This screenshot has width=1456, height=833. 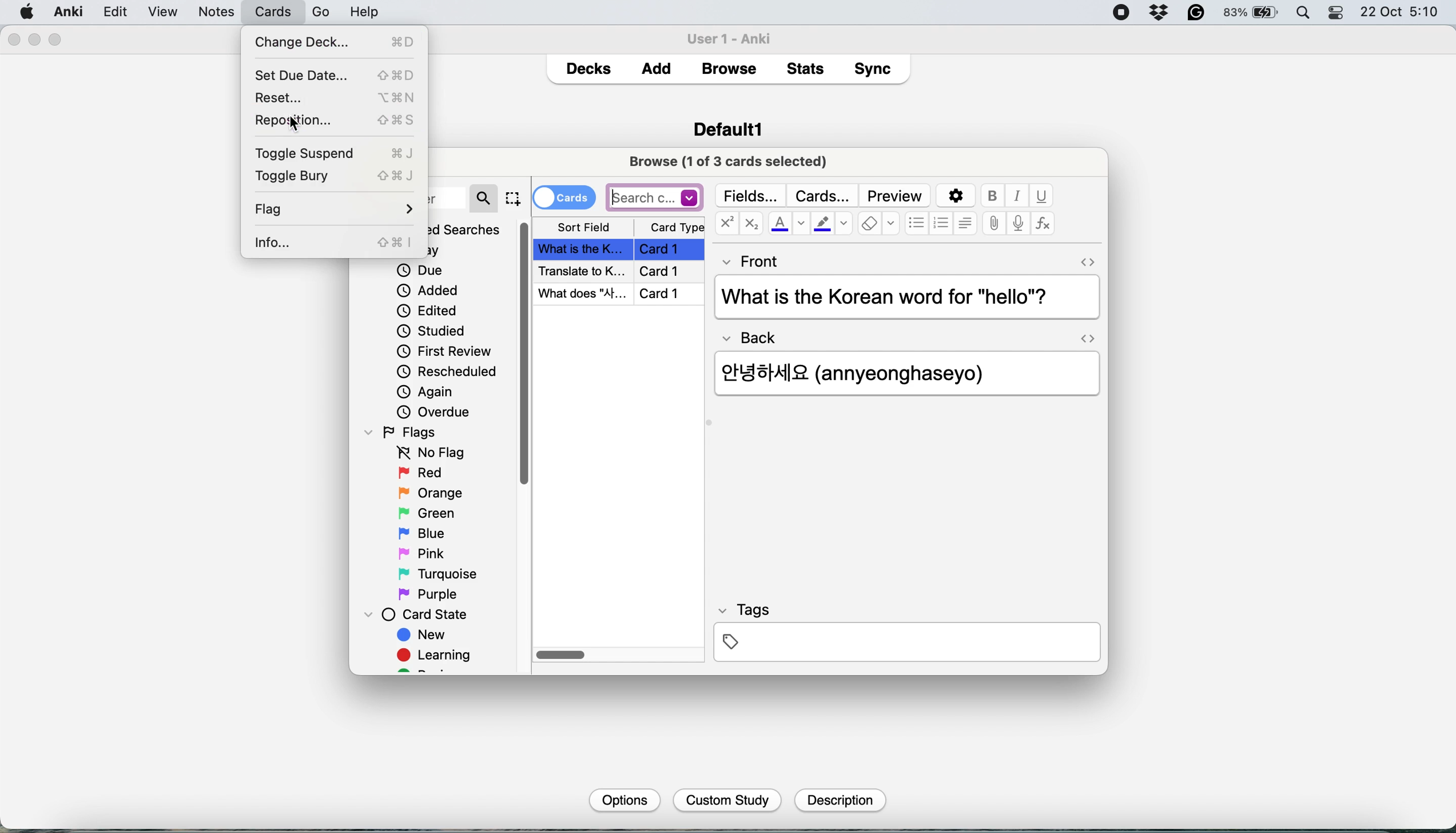 I want to click on bold, so click(x=995, y=196).